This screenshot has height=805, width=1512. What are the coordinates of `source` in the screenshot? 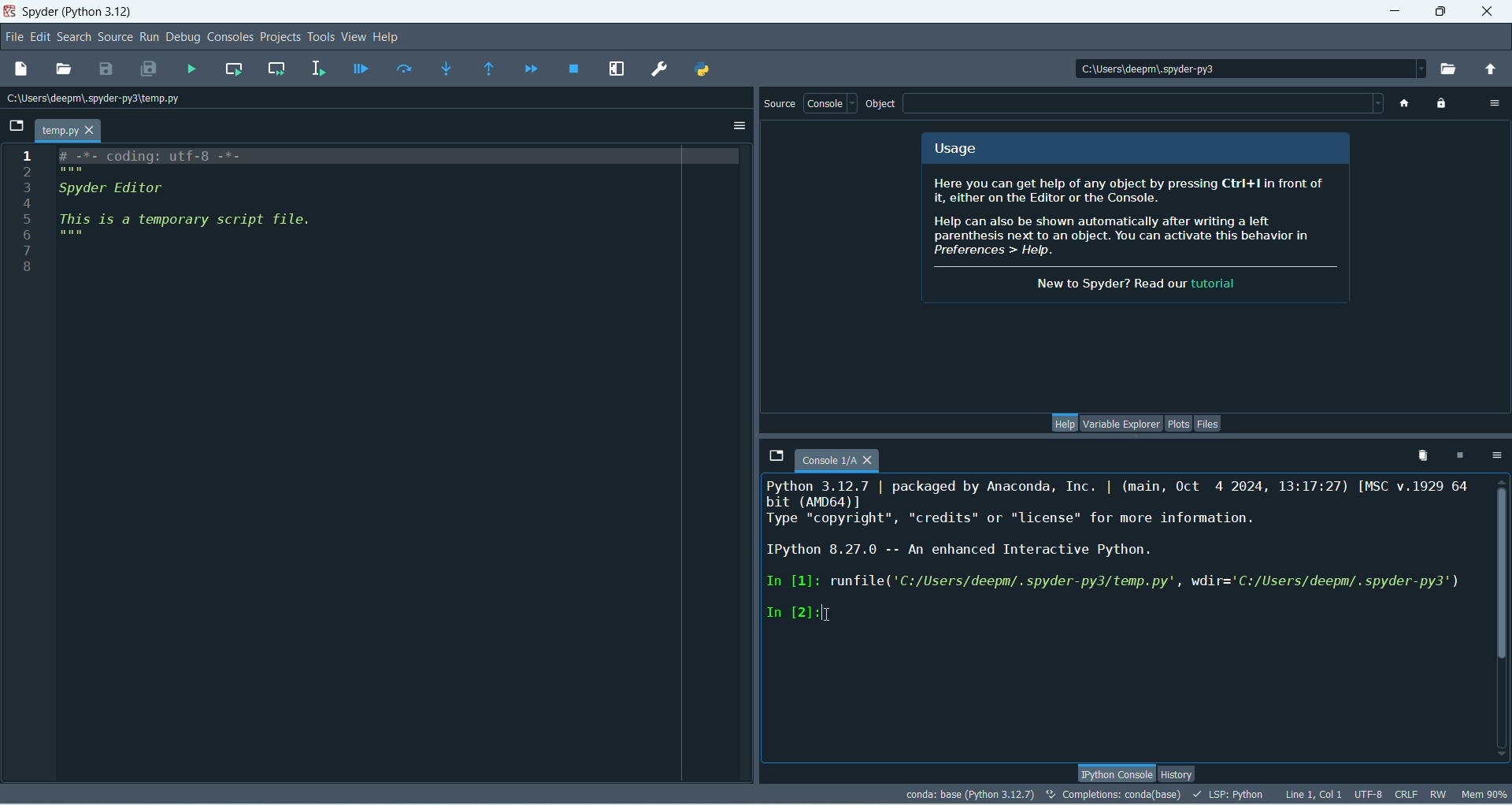 It's located at (115, 37).